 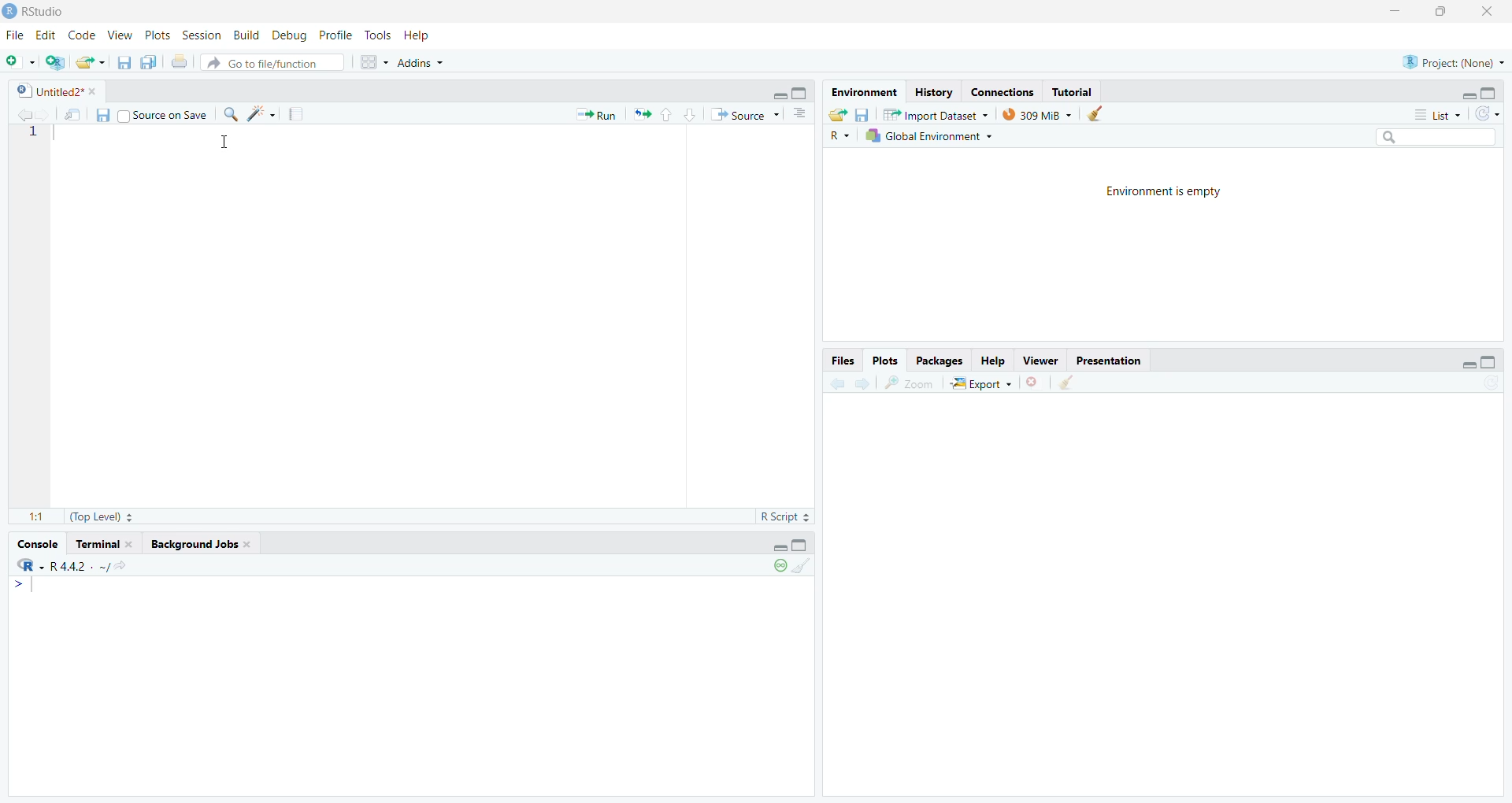 I want to click on loop, so click(x=775, y=569).